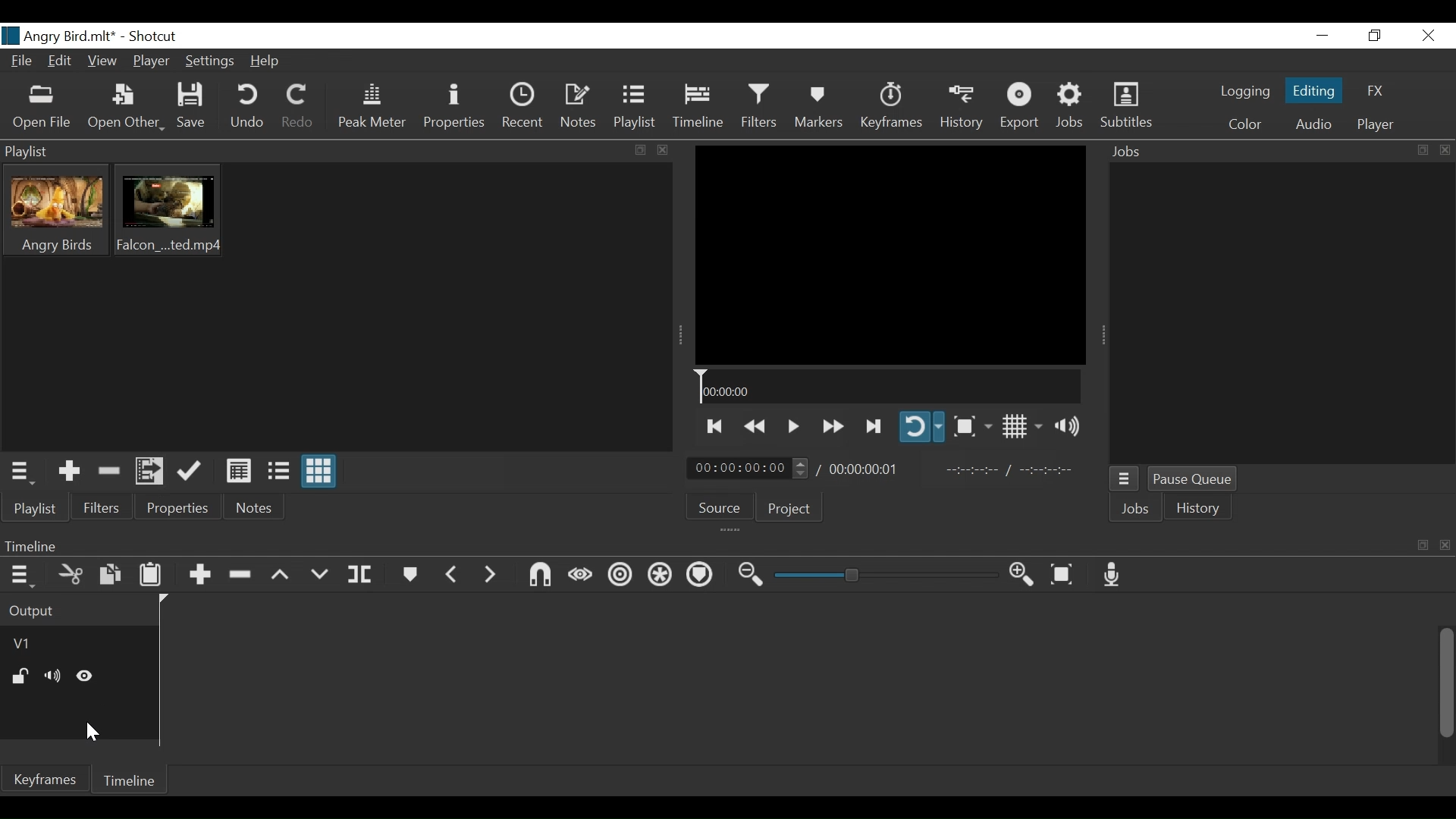  What do you see at coordinates (18, 472) in the screenshot?
I see `Playlist menu` at bounding box center [18, 472].